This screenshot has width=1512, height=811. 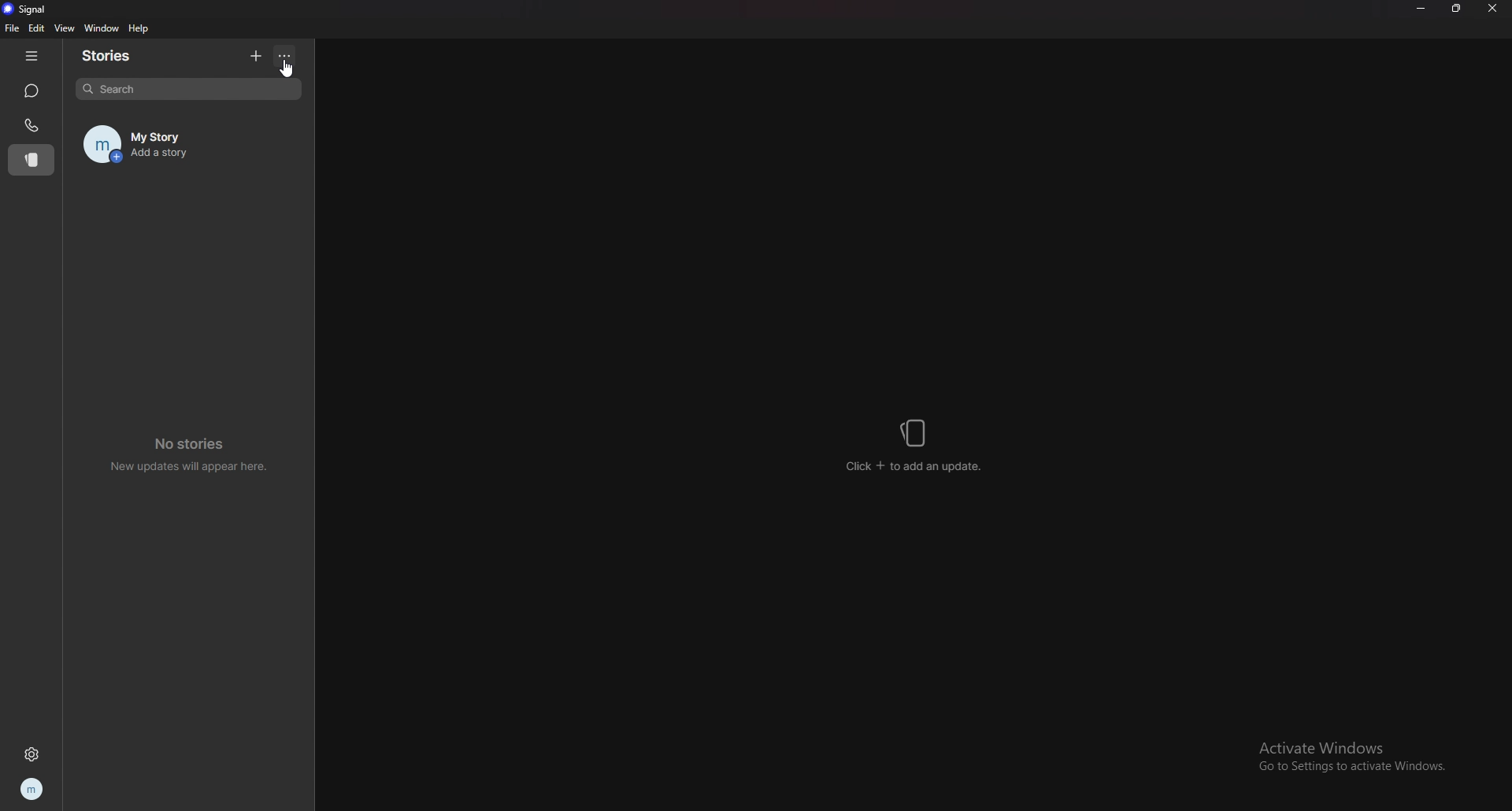 What do you see at coordinates (31, 161) in the screenshot?
I see `stories` at bounding box center [31, 161].